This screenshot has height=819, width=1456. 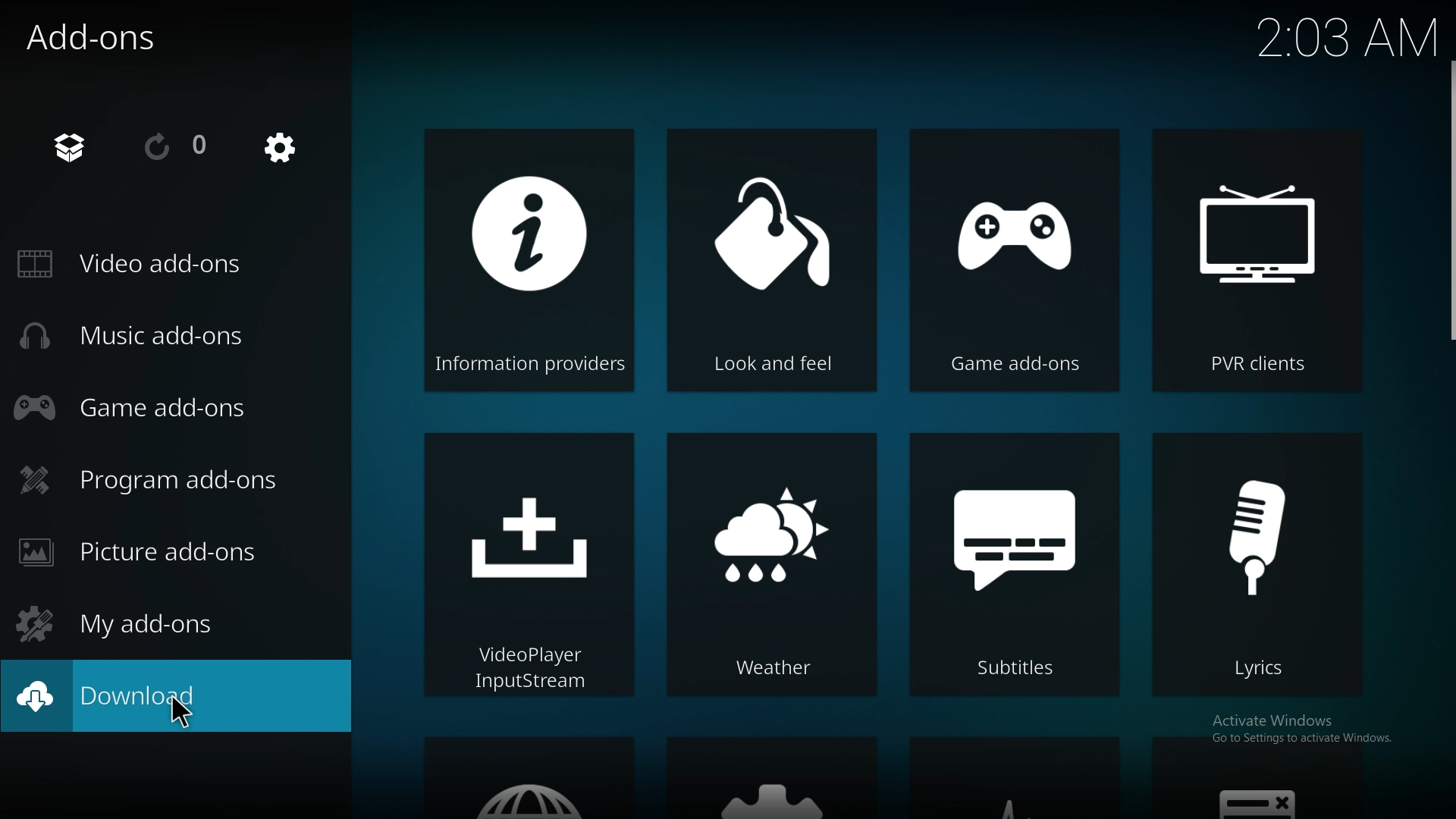 I want to click on video player inputstream, so click(x=532, y=566).